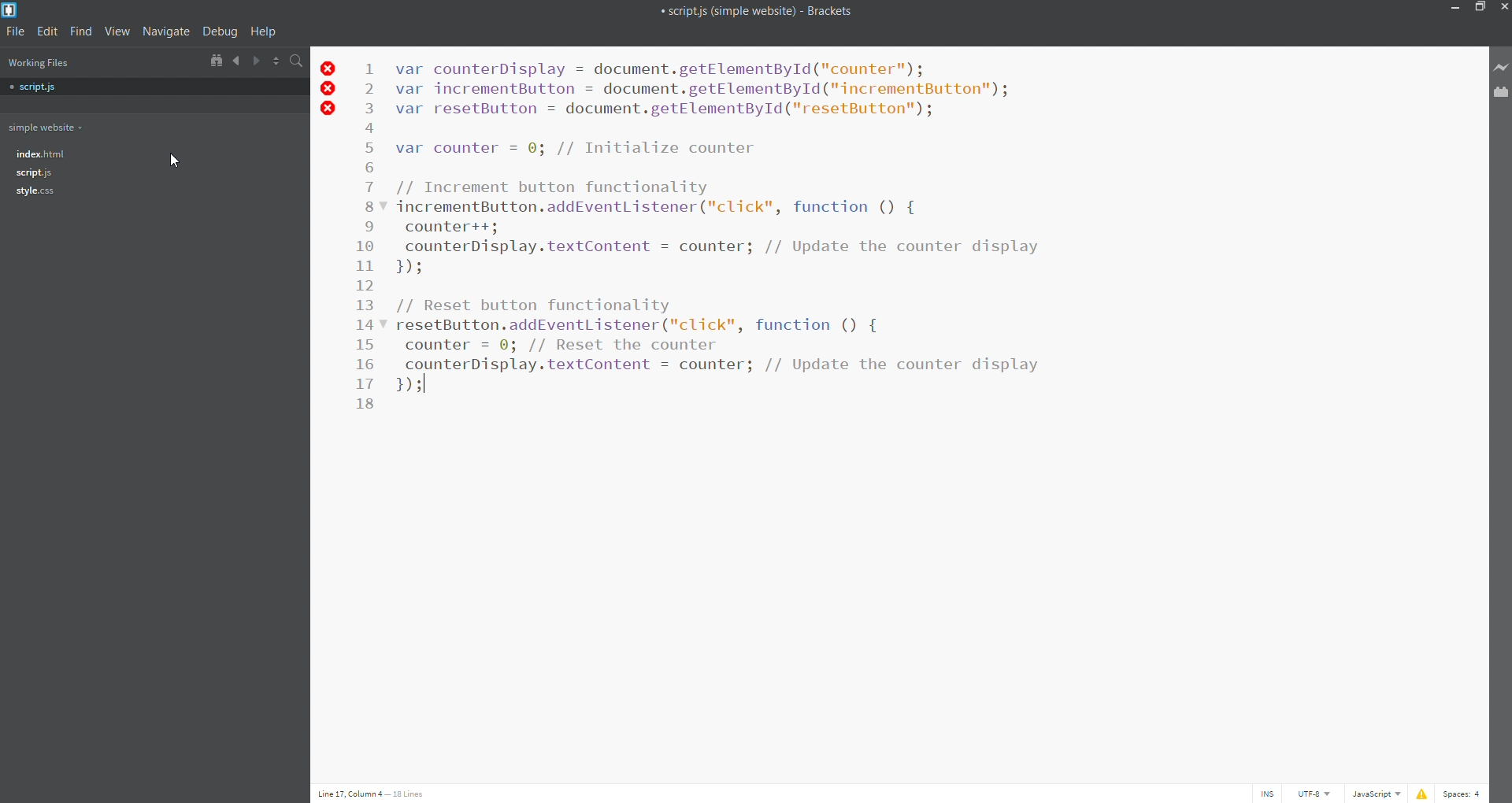 Image resolution: width=1512 pixels, height=803 pixels. Describe the element at coordinates (1501, 96) in the screenshot. I see `extension manager` at that location.